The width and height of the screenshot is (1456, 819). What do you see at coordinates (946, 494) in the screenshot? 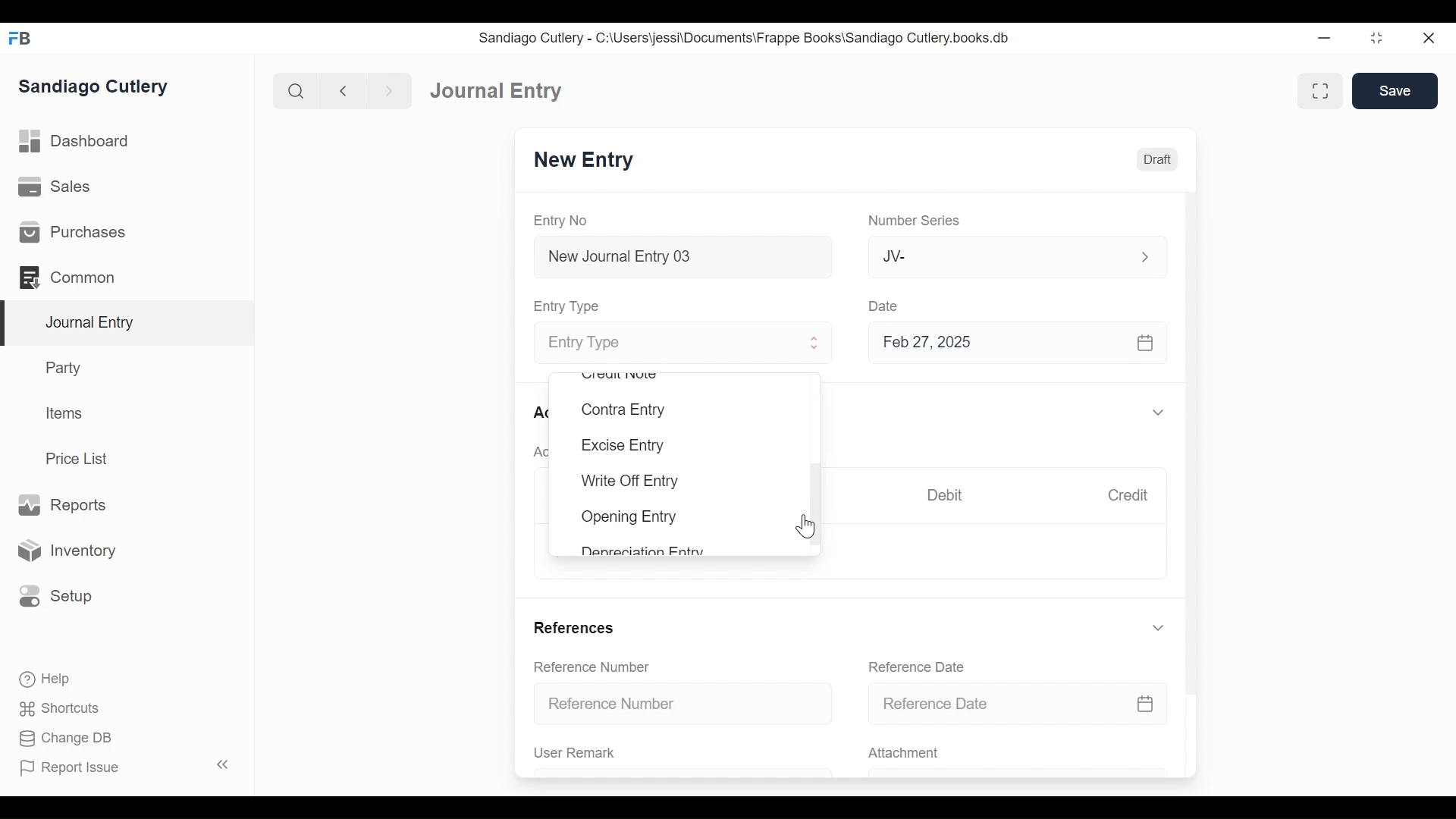
I see `Debit` at bounding box center [946, 494].